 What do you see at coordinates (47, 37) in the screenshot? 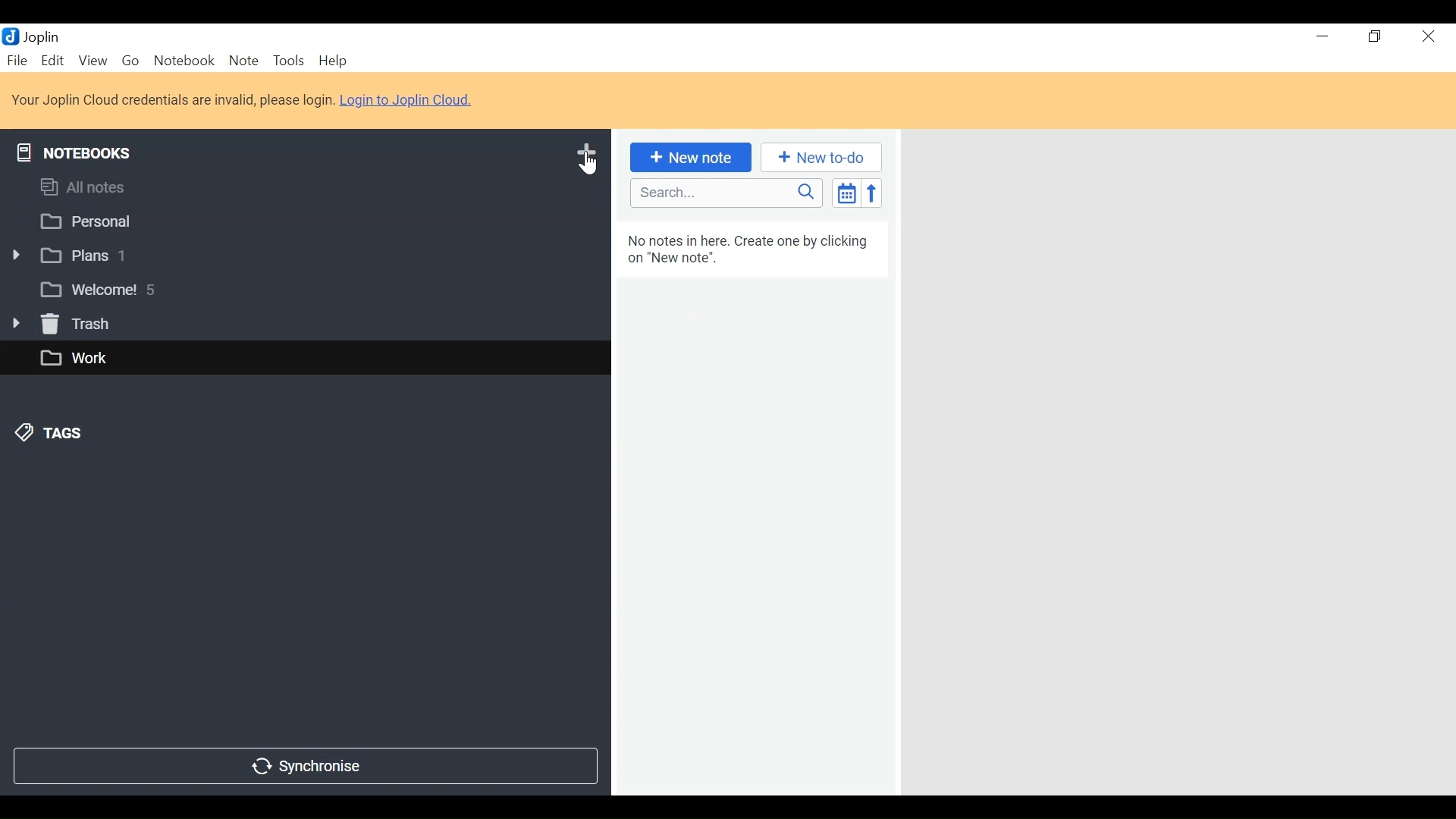
I see `Joplin` at bounding box center [47, 37].